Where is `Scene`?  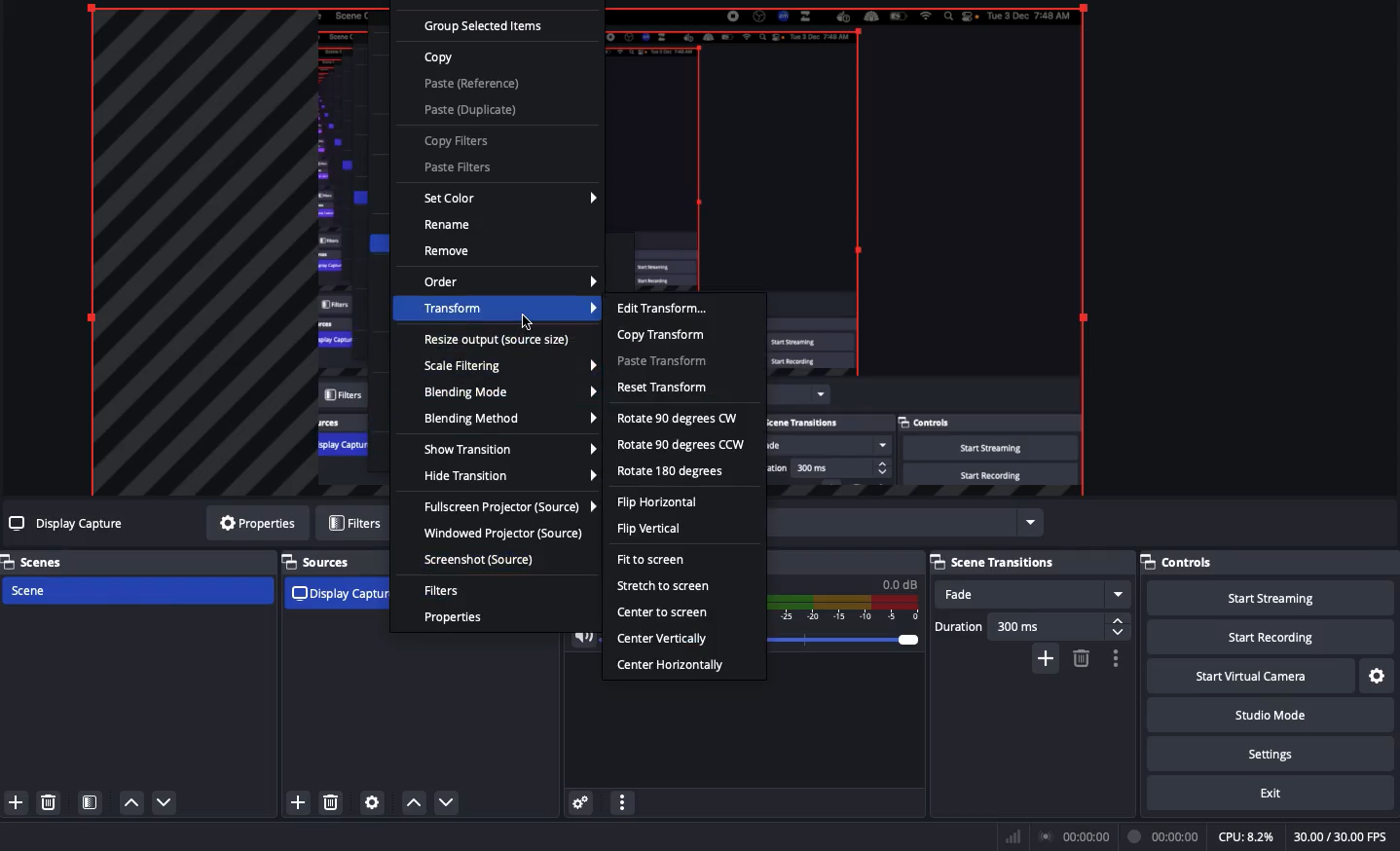
Scene is located at coordinates (139, 590).